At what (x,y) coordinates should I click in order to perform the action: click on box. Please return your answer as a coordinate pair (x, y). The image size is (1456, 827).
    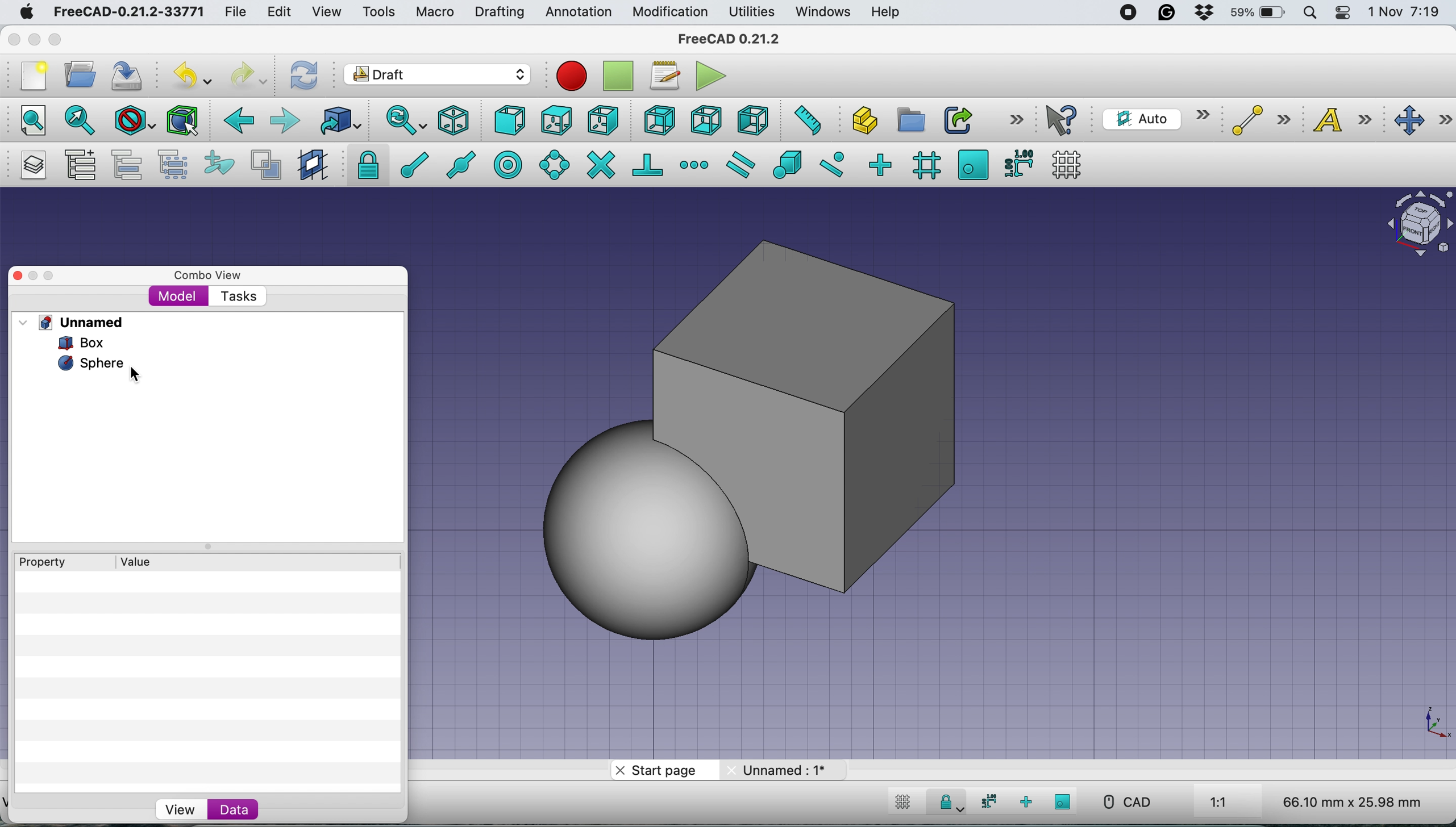
    Looking at the image, I should click on (89, 343).